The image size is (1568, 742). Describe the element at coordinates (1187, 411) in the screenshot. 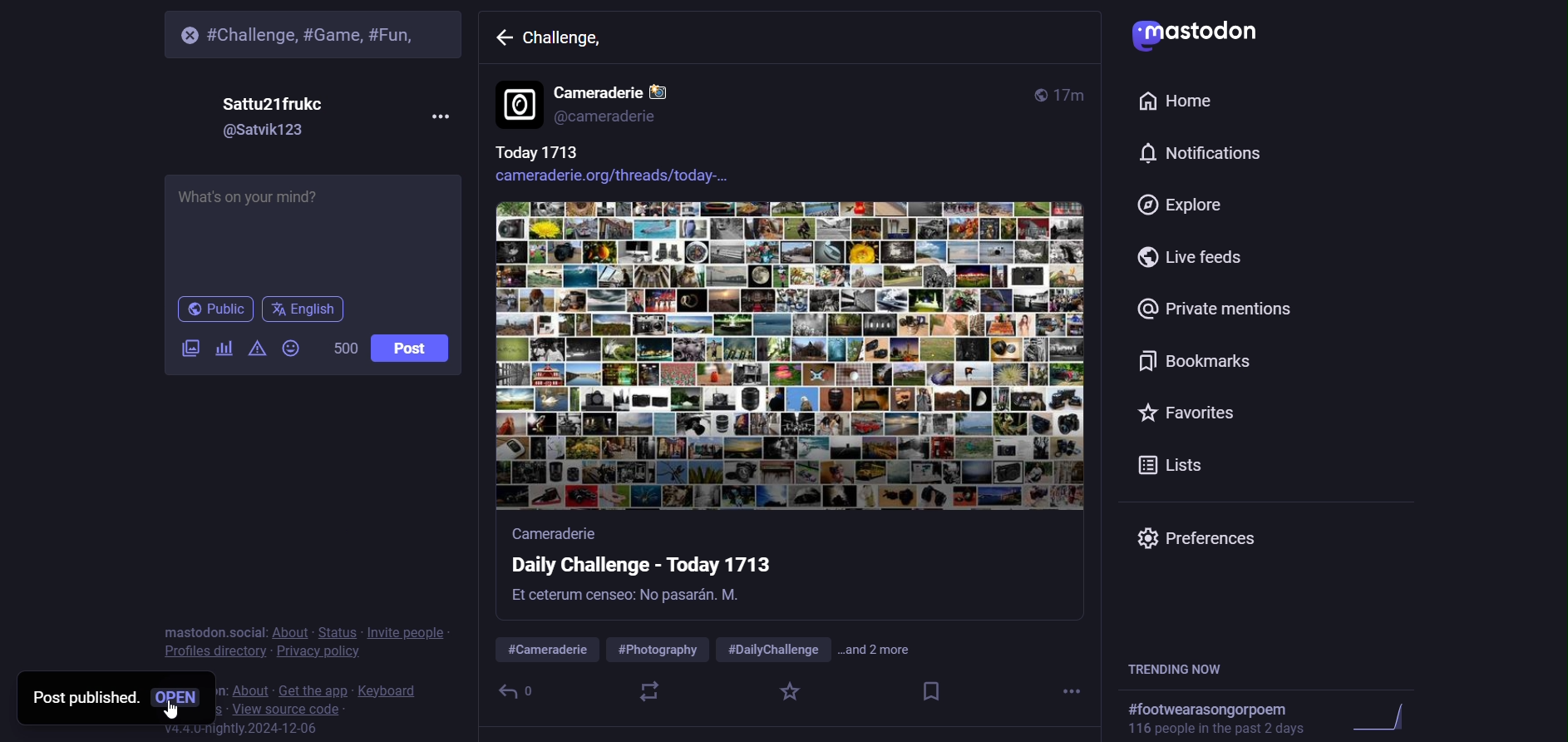

I see `favorites` at that location.